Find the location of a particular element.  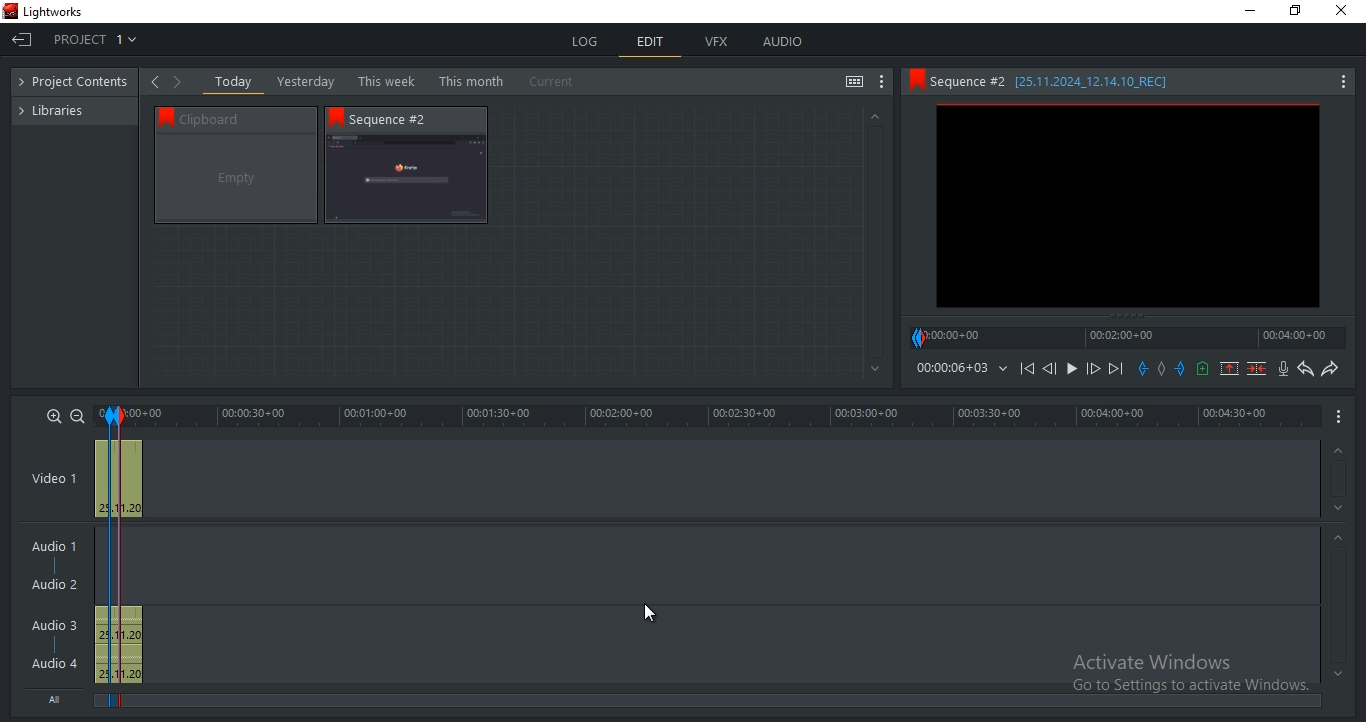

minimize is located at coordinates (1251, 11).